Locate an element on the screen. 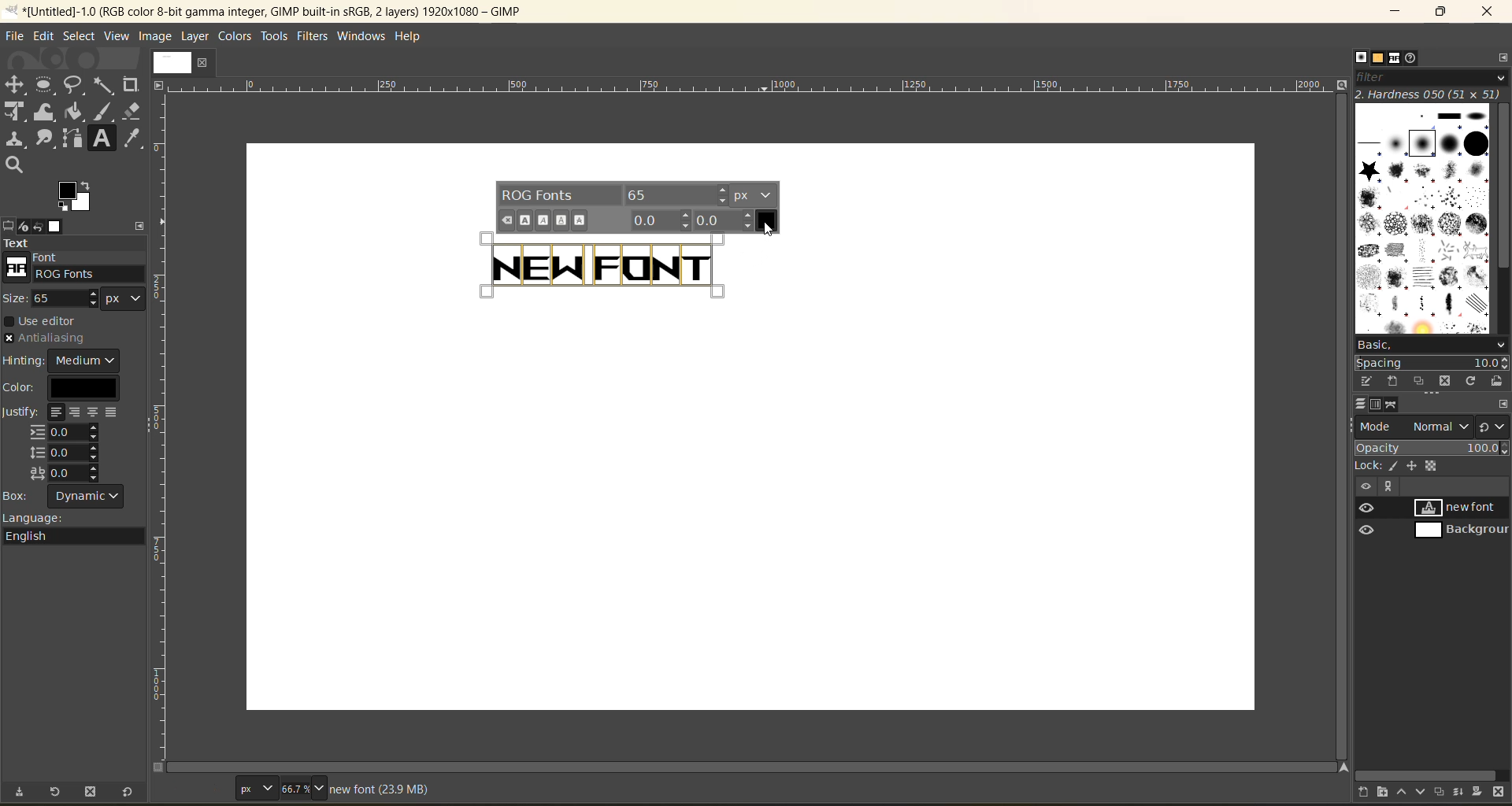 This screenshot has height=806, width=1512. view paths is located at coordinates (1388, 486).